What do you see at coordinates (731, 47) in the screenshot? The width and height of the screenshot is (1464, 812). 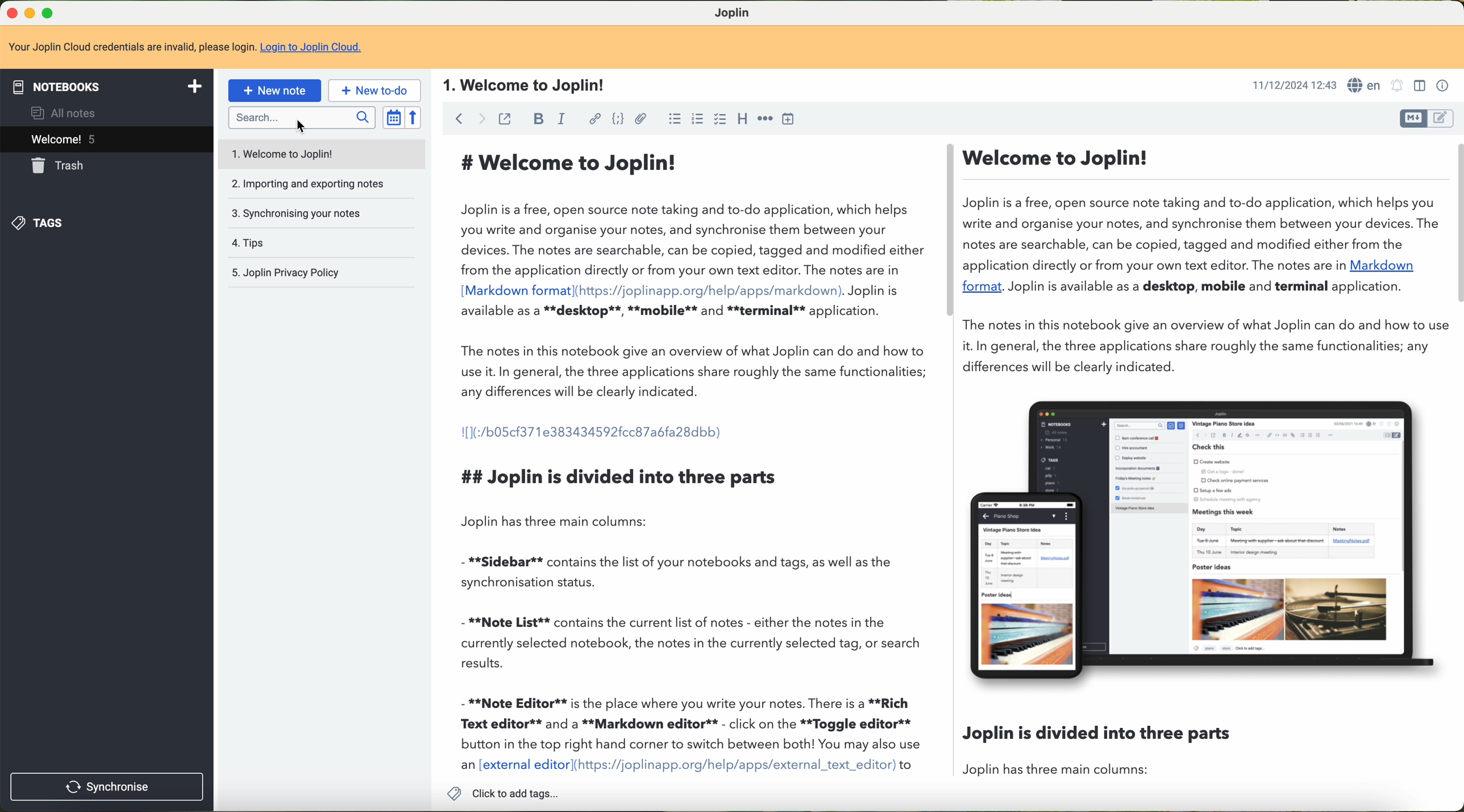 I see `Your Joplin Cloud credentials are invalid, please log in to Joplin Cloud` at bounding box center [731, 47].